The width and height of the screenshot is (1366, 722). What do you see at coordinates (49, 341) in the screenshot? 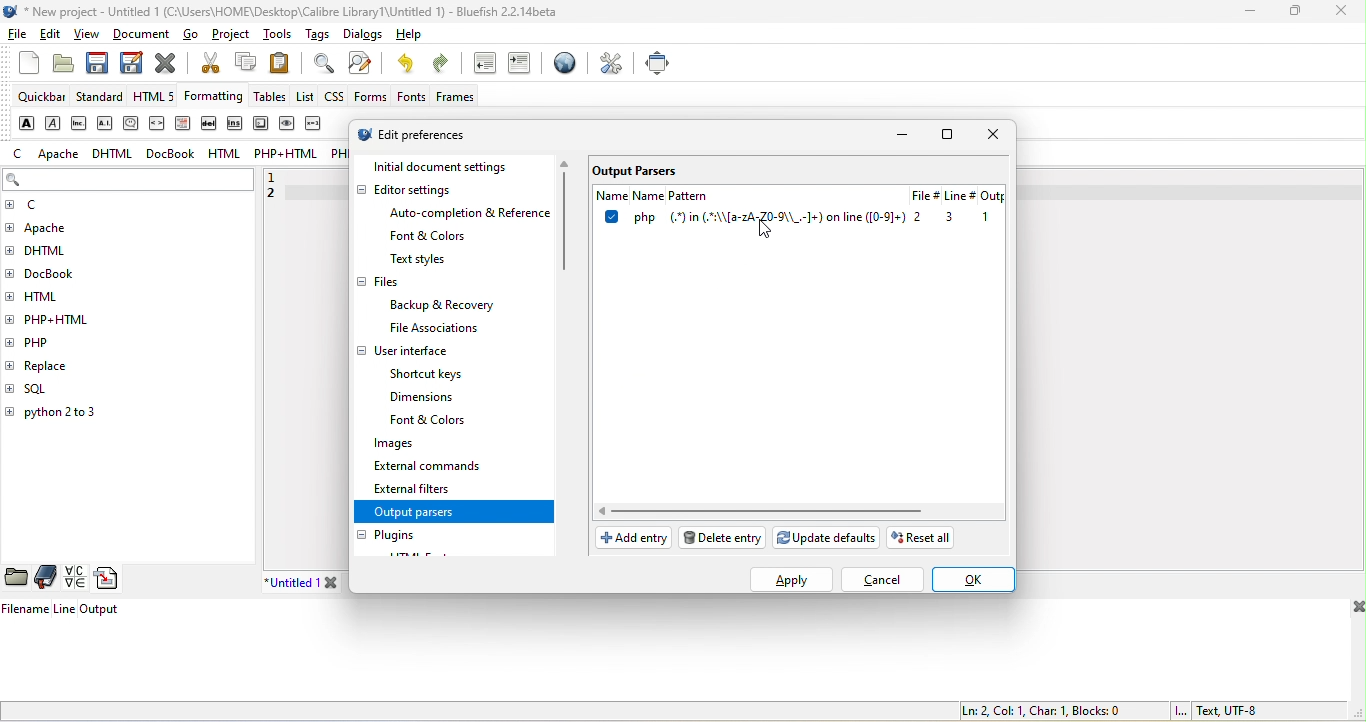
I see `php` at bounding box center [49, 341].